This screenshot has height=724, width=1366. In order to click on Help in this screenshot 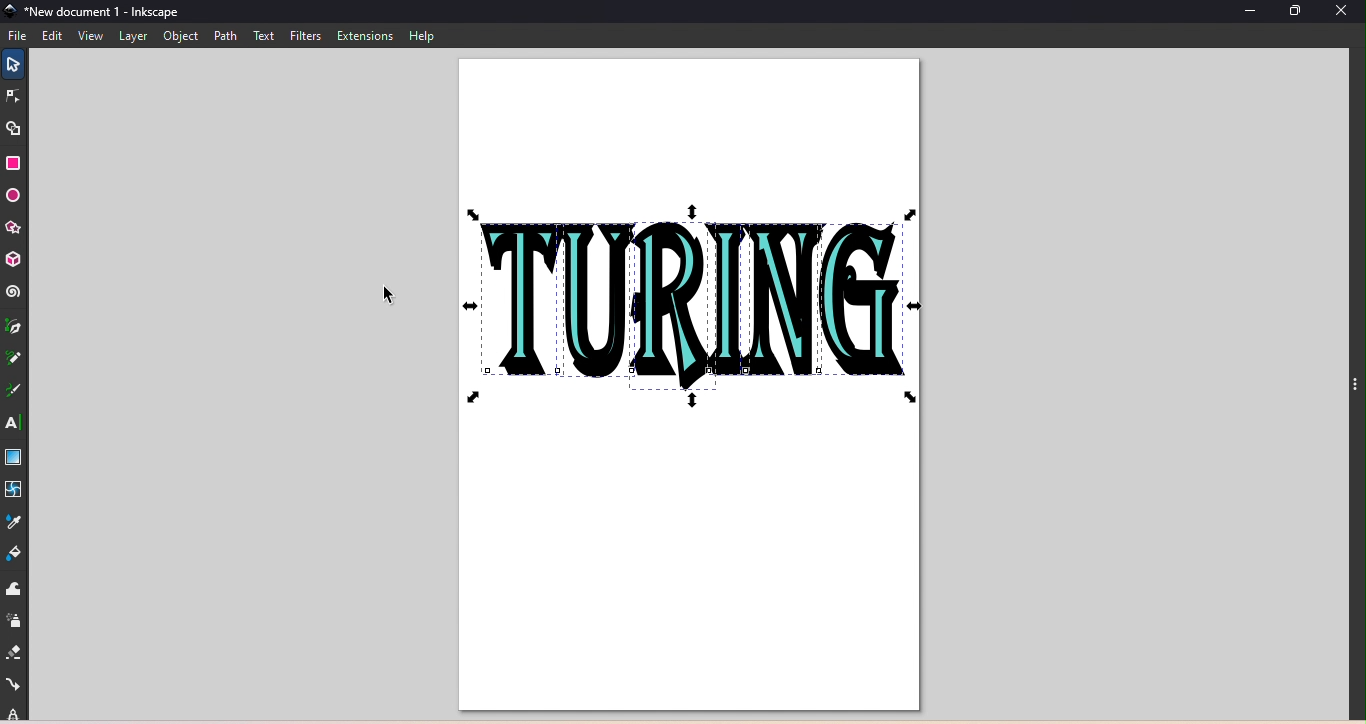, I will do `click(421, 35)`.